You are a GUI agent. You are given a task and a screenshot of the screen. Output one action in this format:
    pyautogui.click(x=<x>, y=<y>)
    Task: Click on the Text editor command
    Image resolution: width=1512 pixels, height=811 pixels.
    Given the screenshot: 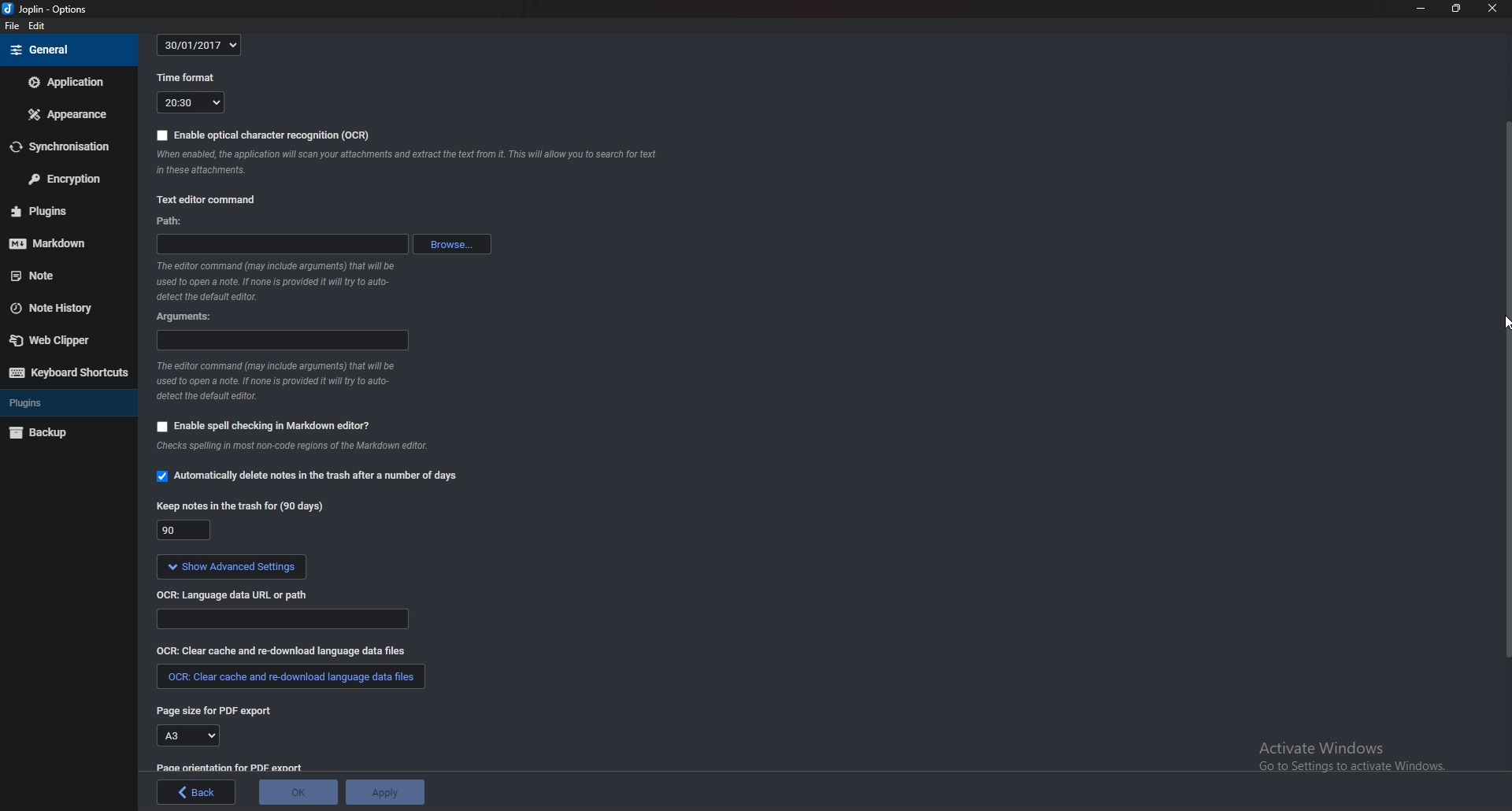 What is the action you would take?
    pyautogui.click(x=208, y=200)
    